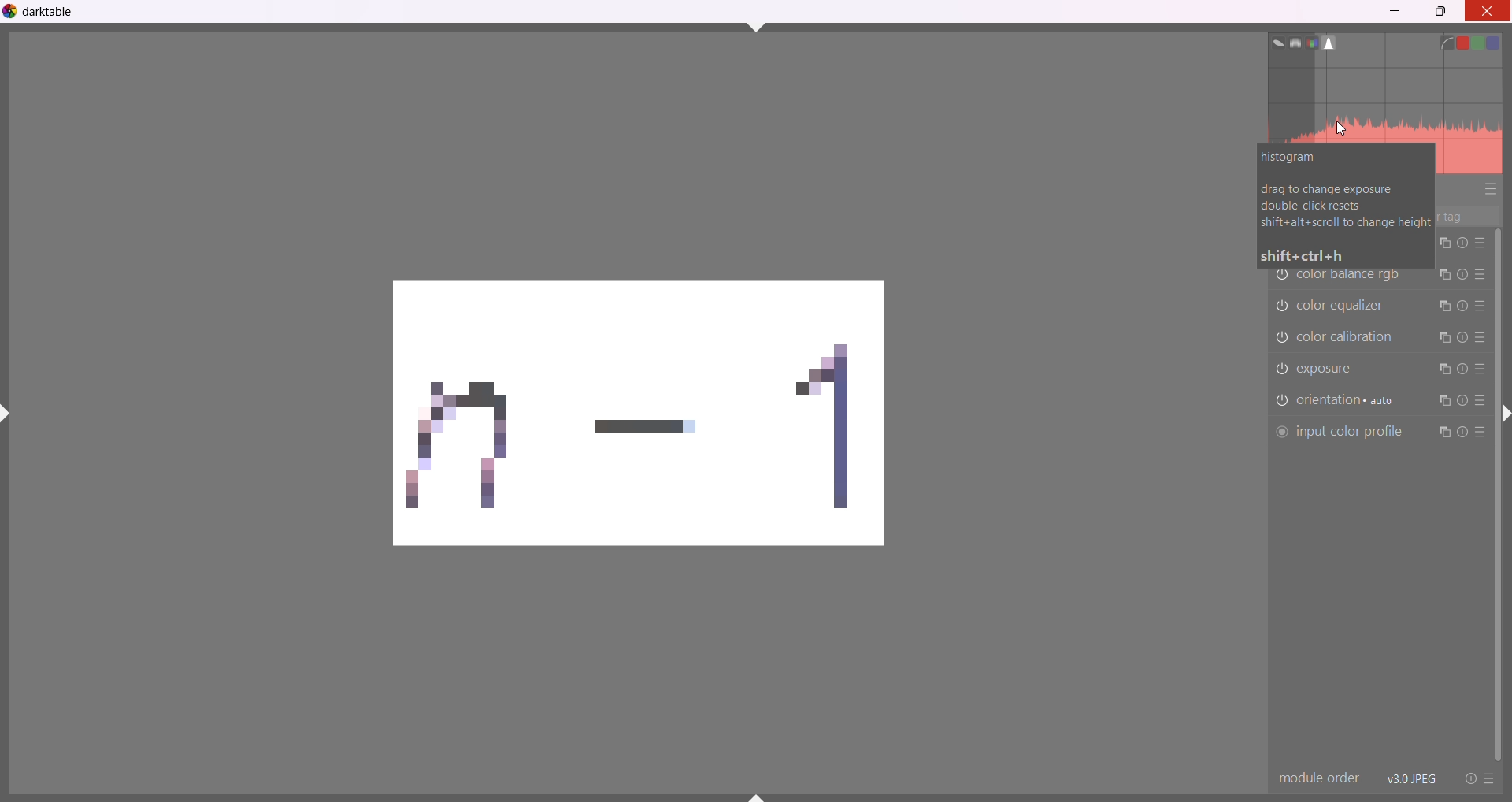 The image size is (1512, 802). What do you see at coordinates (1291, 42) in the screenshot?
I see `waveform` at bounding box center [1291, 42].